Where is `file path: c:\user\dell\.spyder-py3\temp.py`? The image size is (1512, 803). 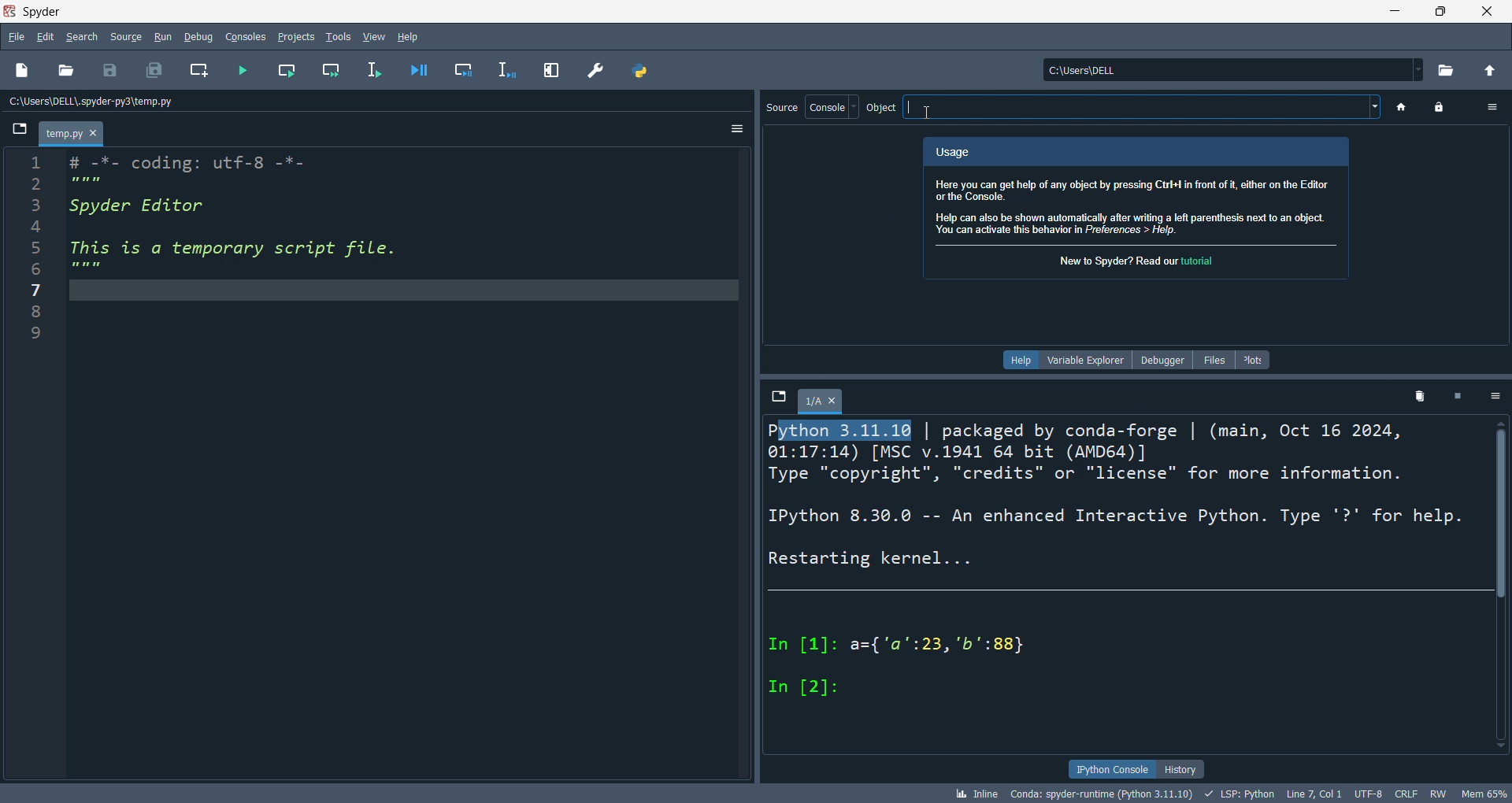 file path: c:\user\dell\.spyder-py3\temp.py is located at coordinates (202, 103).